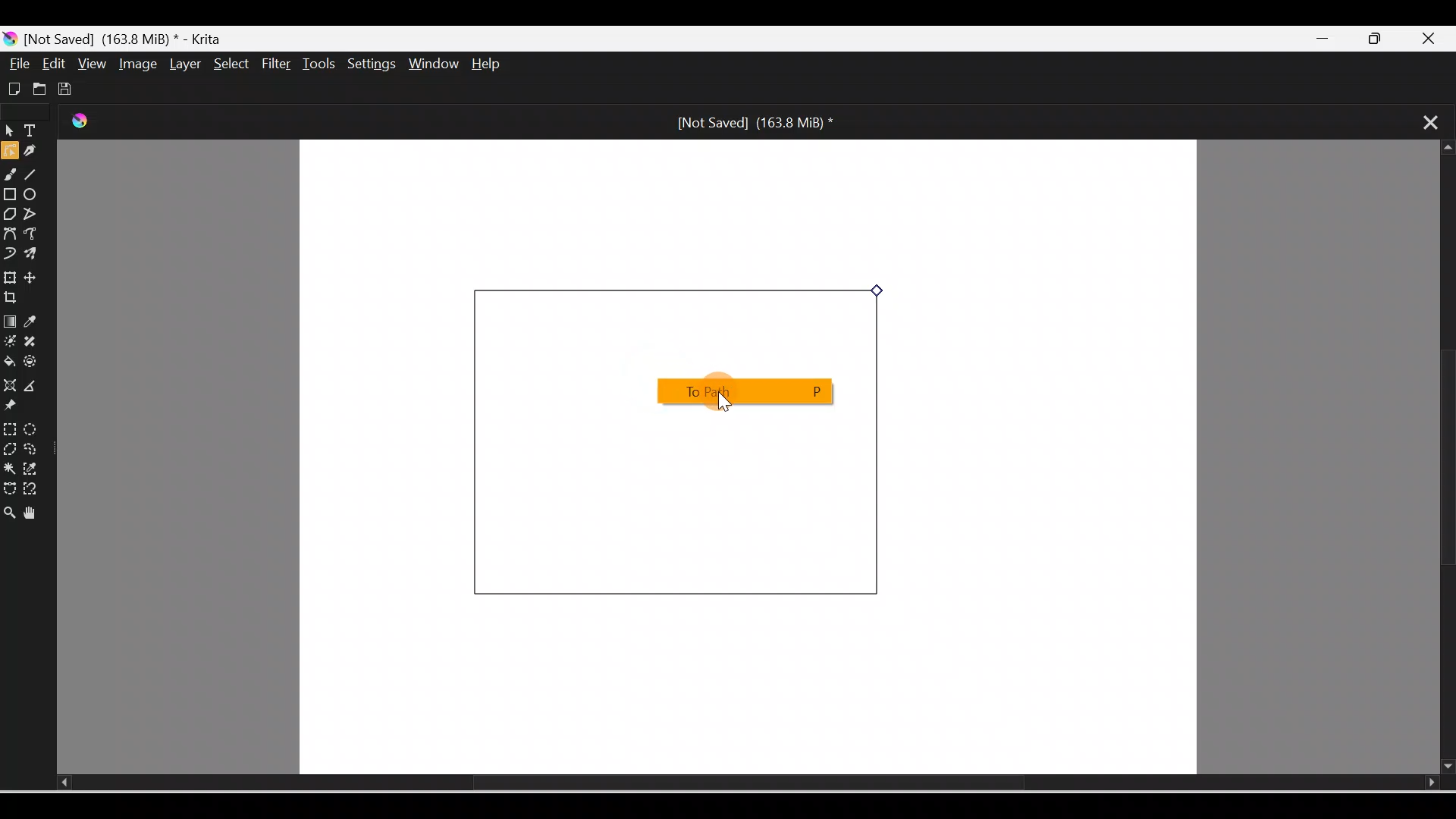 The height and width of the screenshot is (819, 1456). What do you see at coordinates (736, 391) in the screenshot?
I see `Cursor on "to path"` at bounding box center [736, 391].